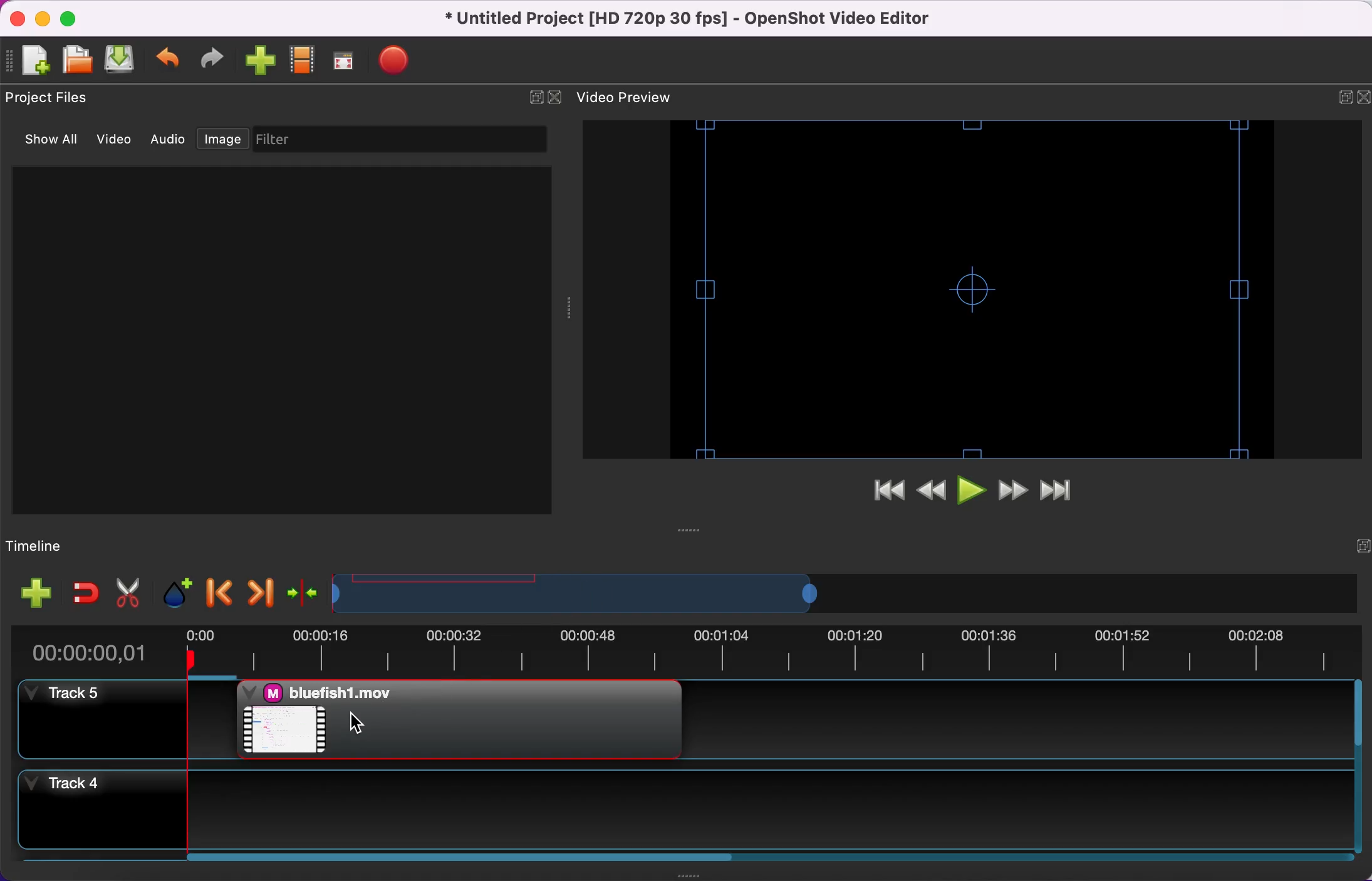 This screenshot has width=1372, height=881. What do you see at coordinates (885, 493) in the screenshot?
I see `jump to start` at bounding box center [885, 493].